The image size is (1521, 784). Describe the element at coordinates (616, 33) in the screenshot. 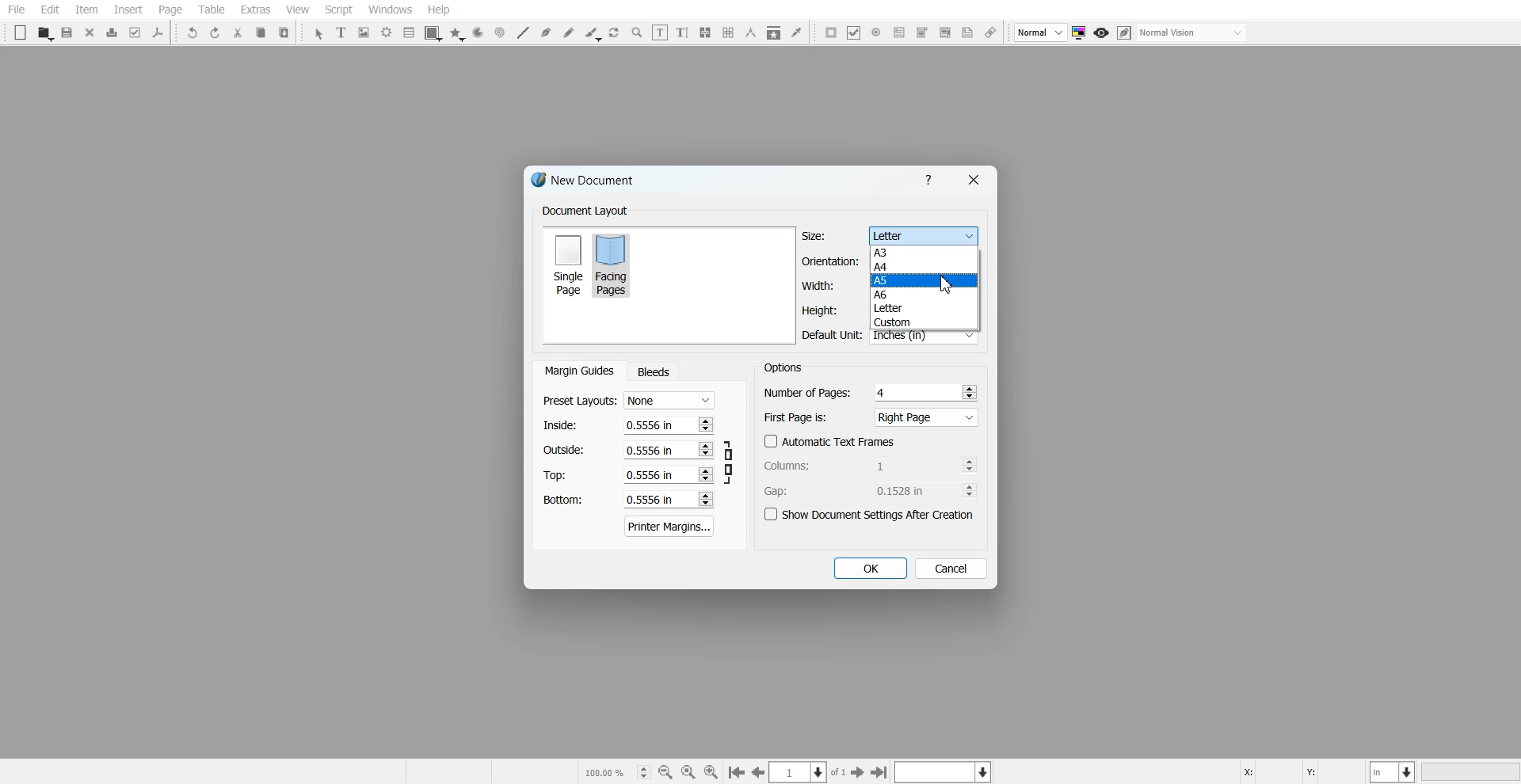

I see `Rotate Item` at that location.